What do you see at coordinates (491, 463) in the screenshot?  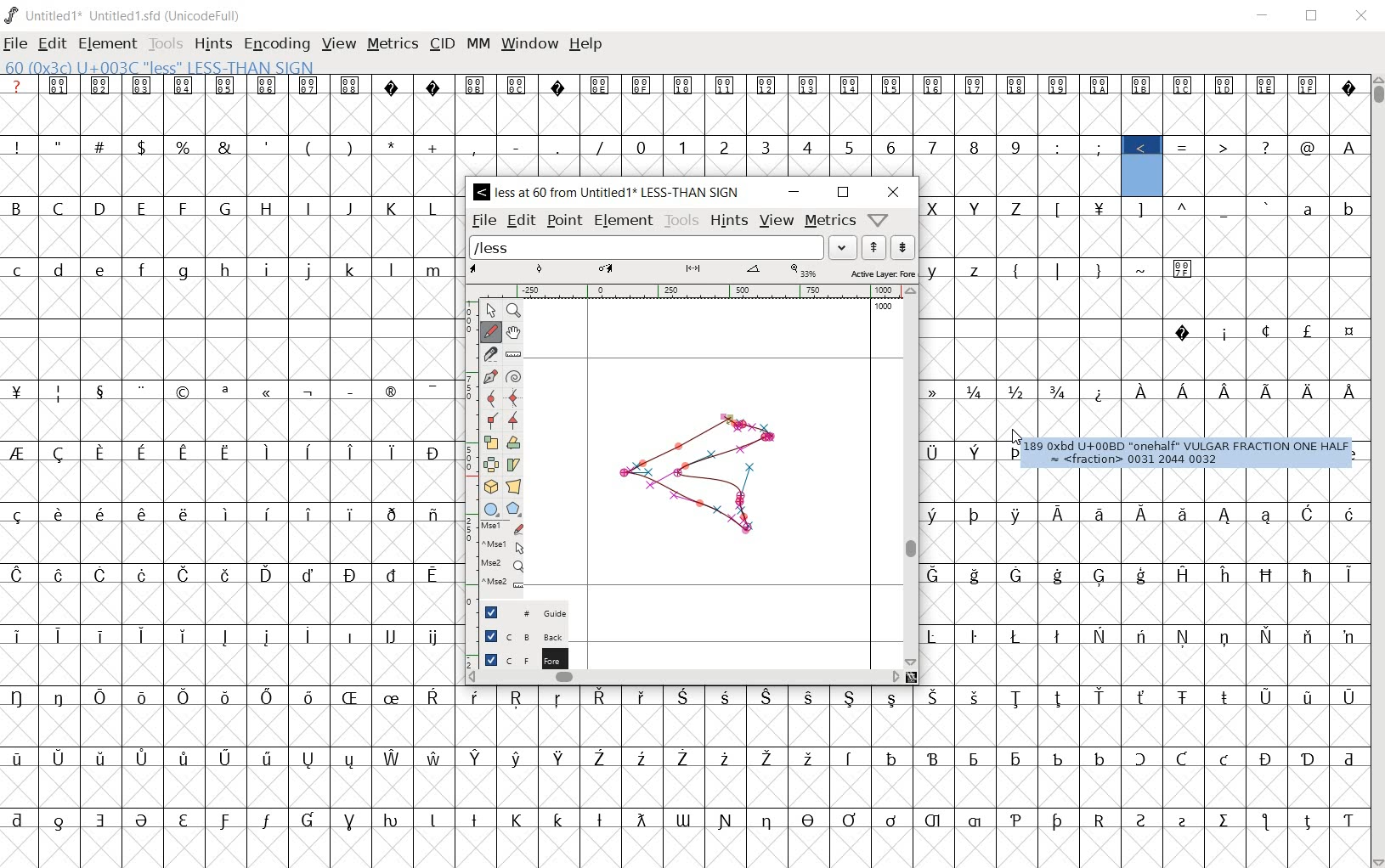 I see `flip the selection` at bounding box center [491, 463].